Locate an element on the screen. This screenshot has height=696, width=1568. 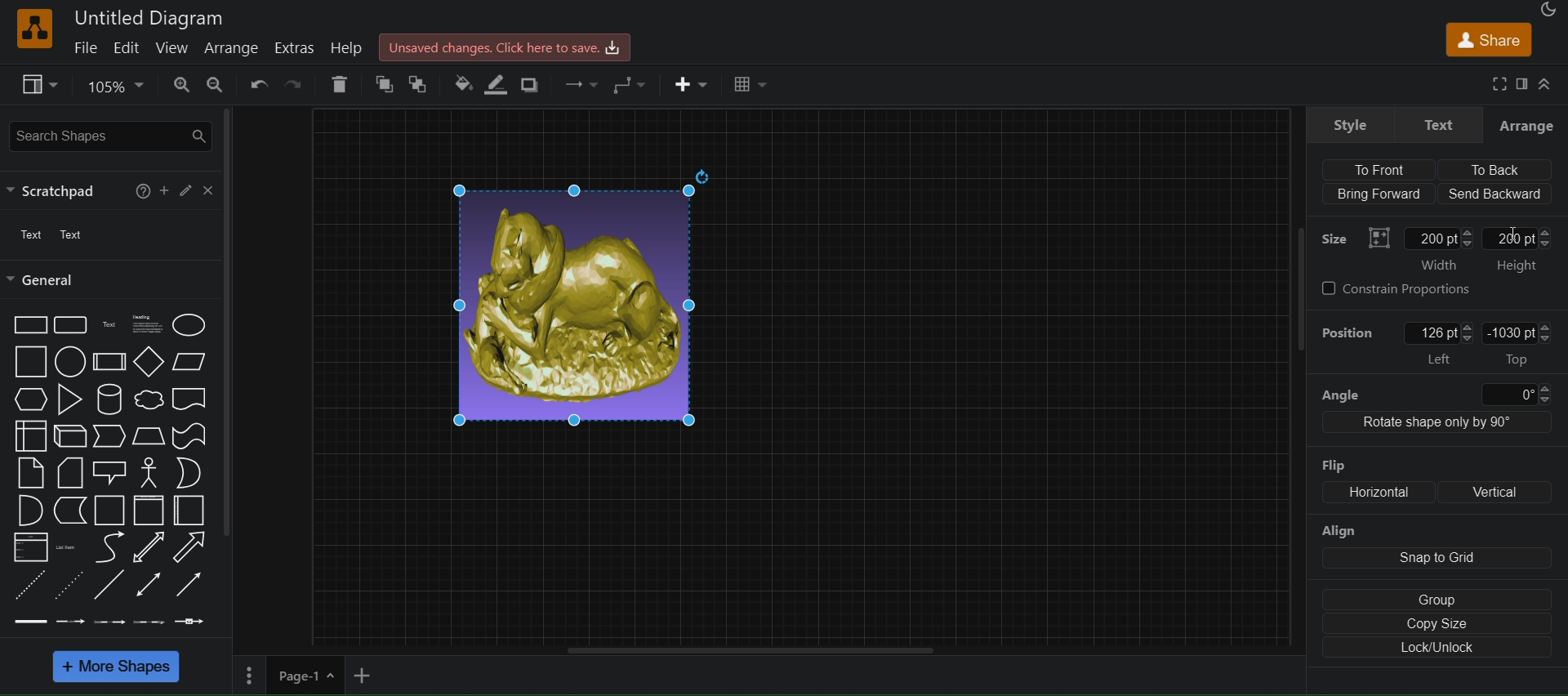
fill color is located at coordinates (462, 85).